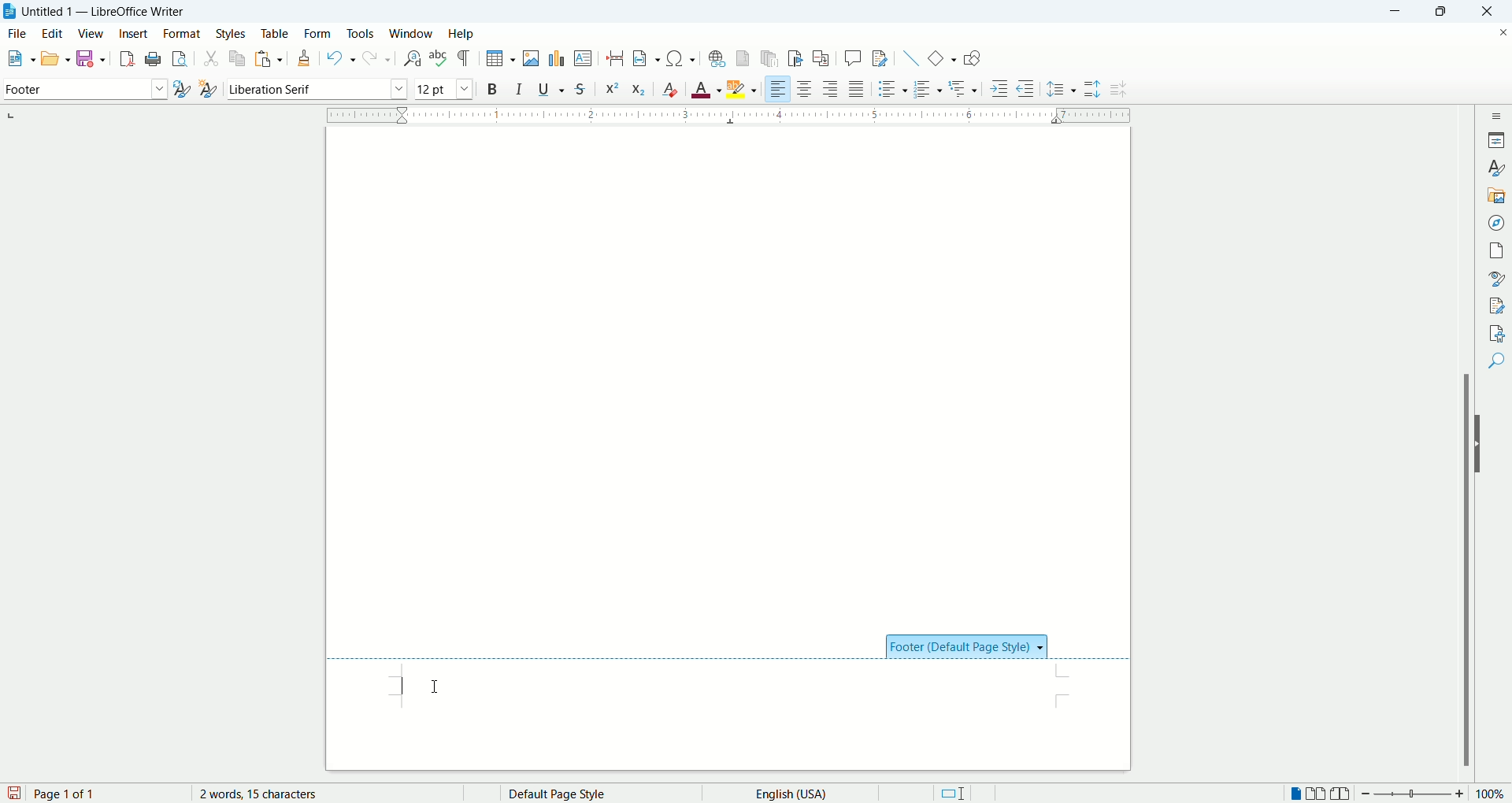  Describe the element at coordinates (965, 87) in the screenshot. I see `outline` at that location.